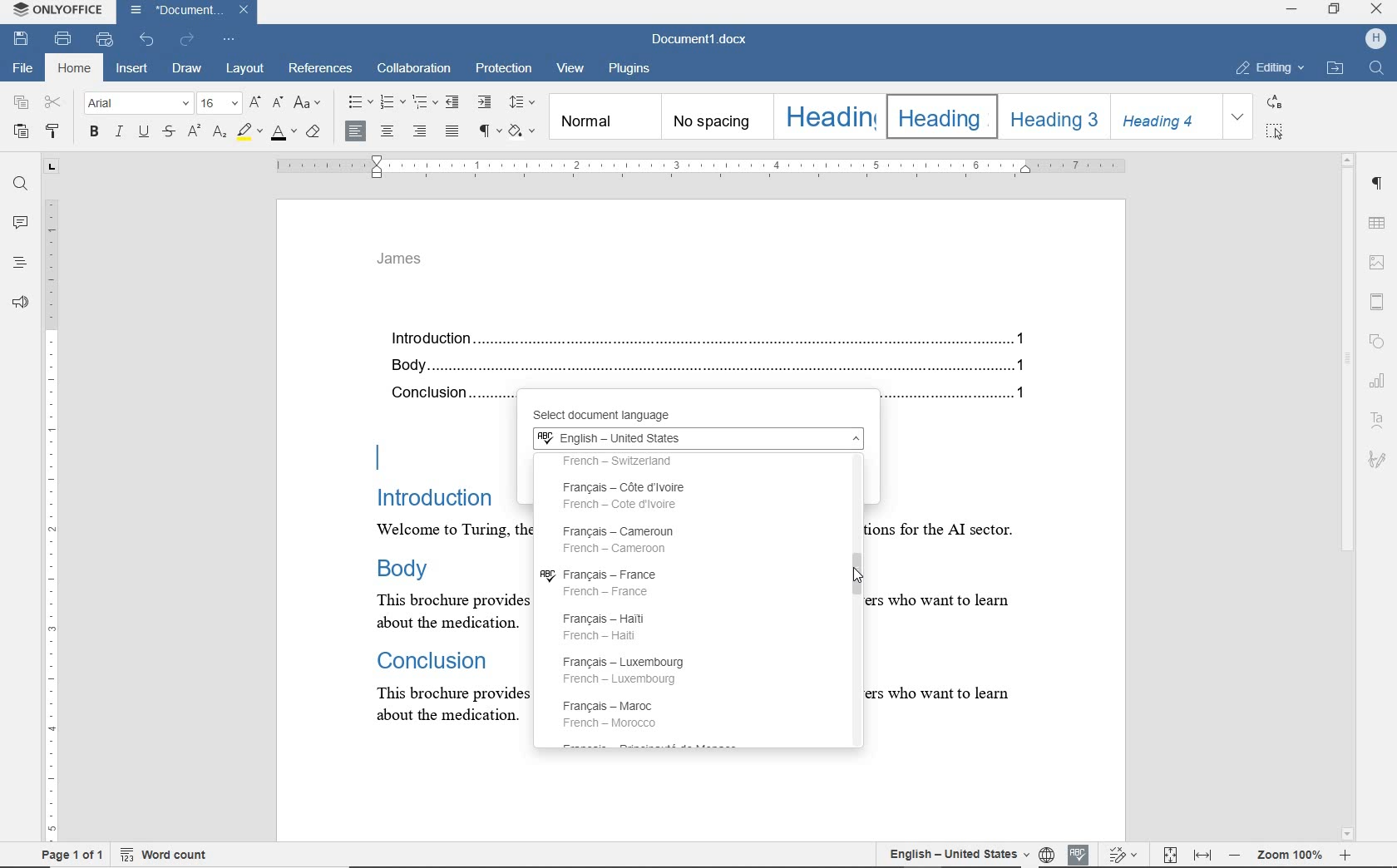 The height and width of the screenshot is (868, 1397). Describe the element at coordinates (52, 504) in the screenshot. I see `ruler` at that location.